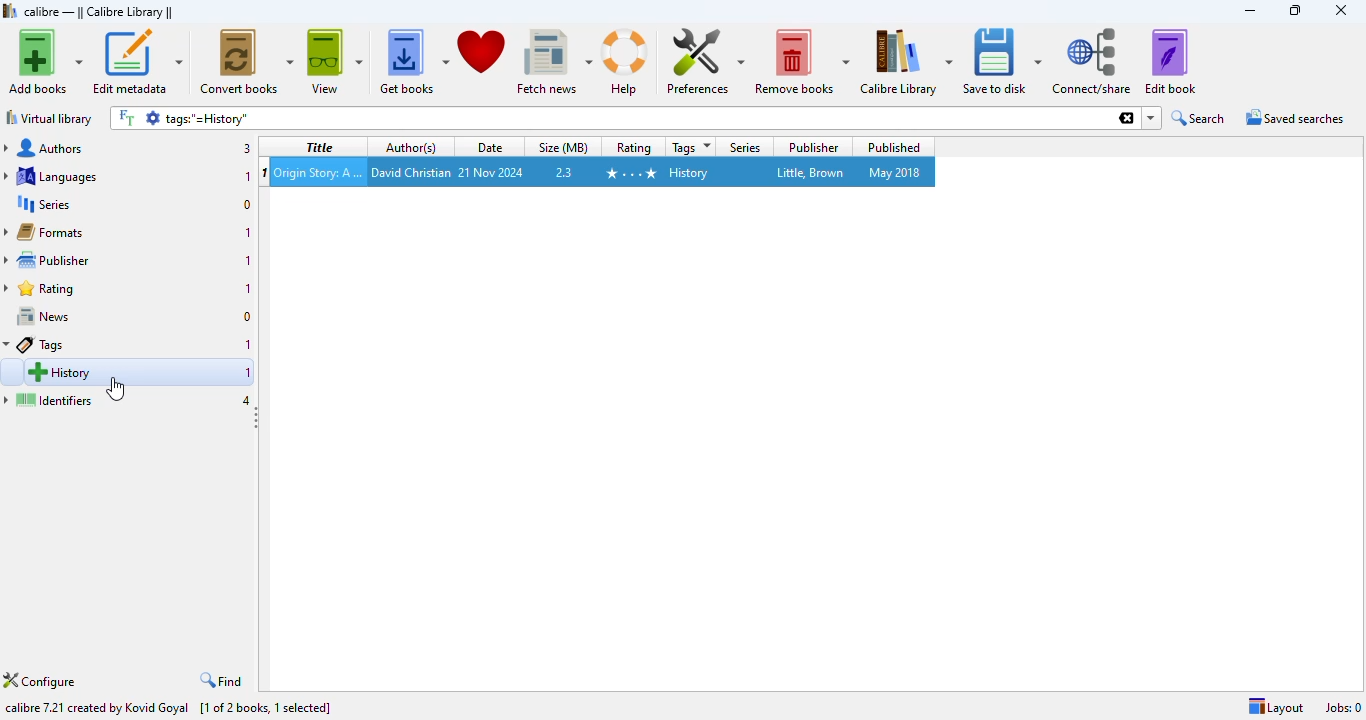 This screenshot has width=1366, height=720. Describe the element at coordinates (335, 61) in the screenshot. I see `view` at that location.